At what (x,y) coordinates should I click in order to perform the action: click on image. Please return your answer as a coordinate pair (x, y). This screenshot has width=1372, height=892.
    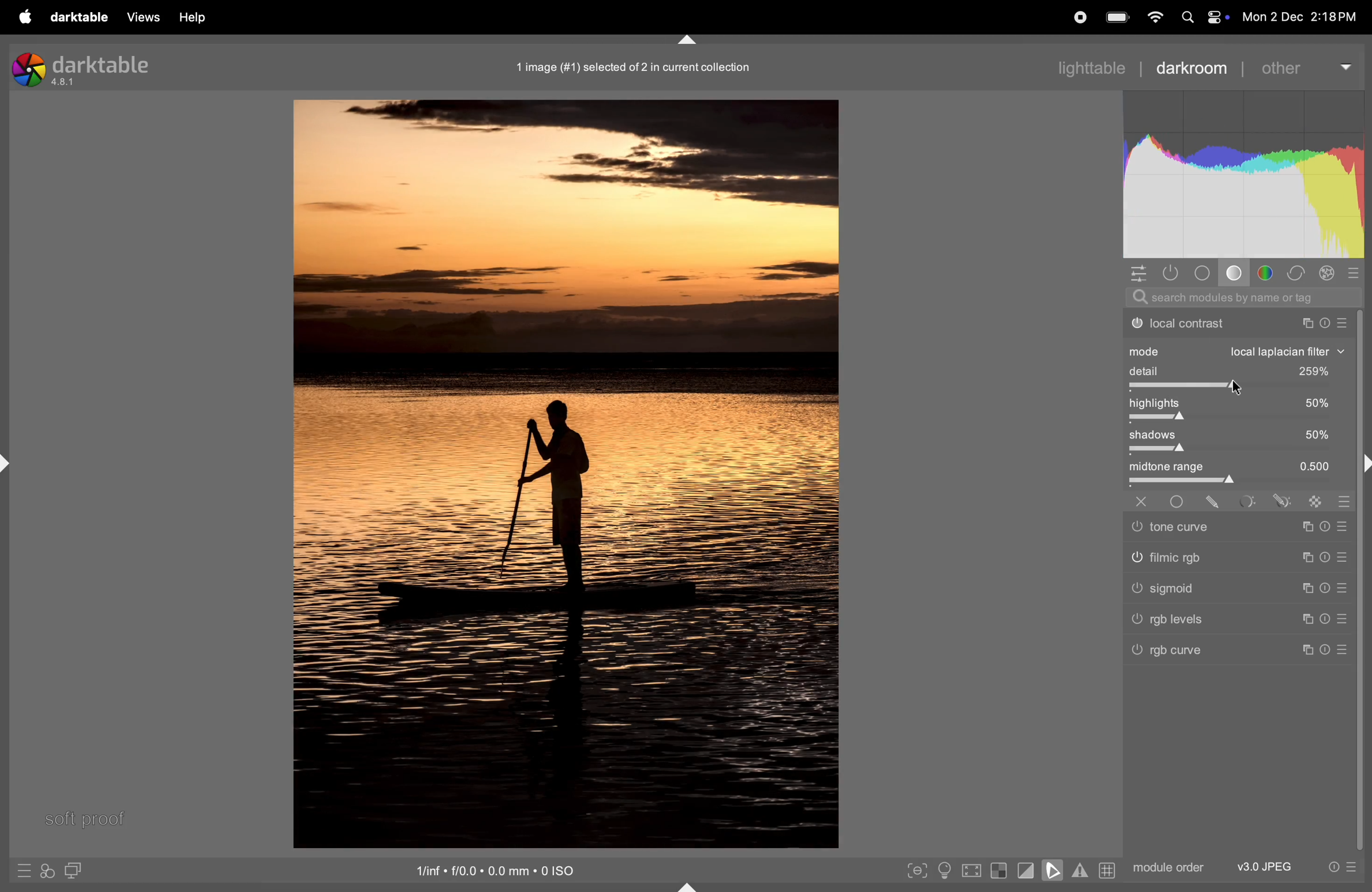
    Looking at the image, I should click on (564, 476).